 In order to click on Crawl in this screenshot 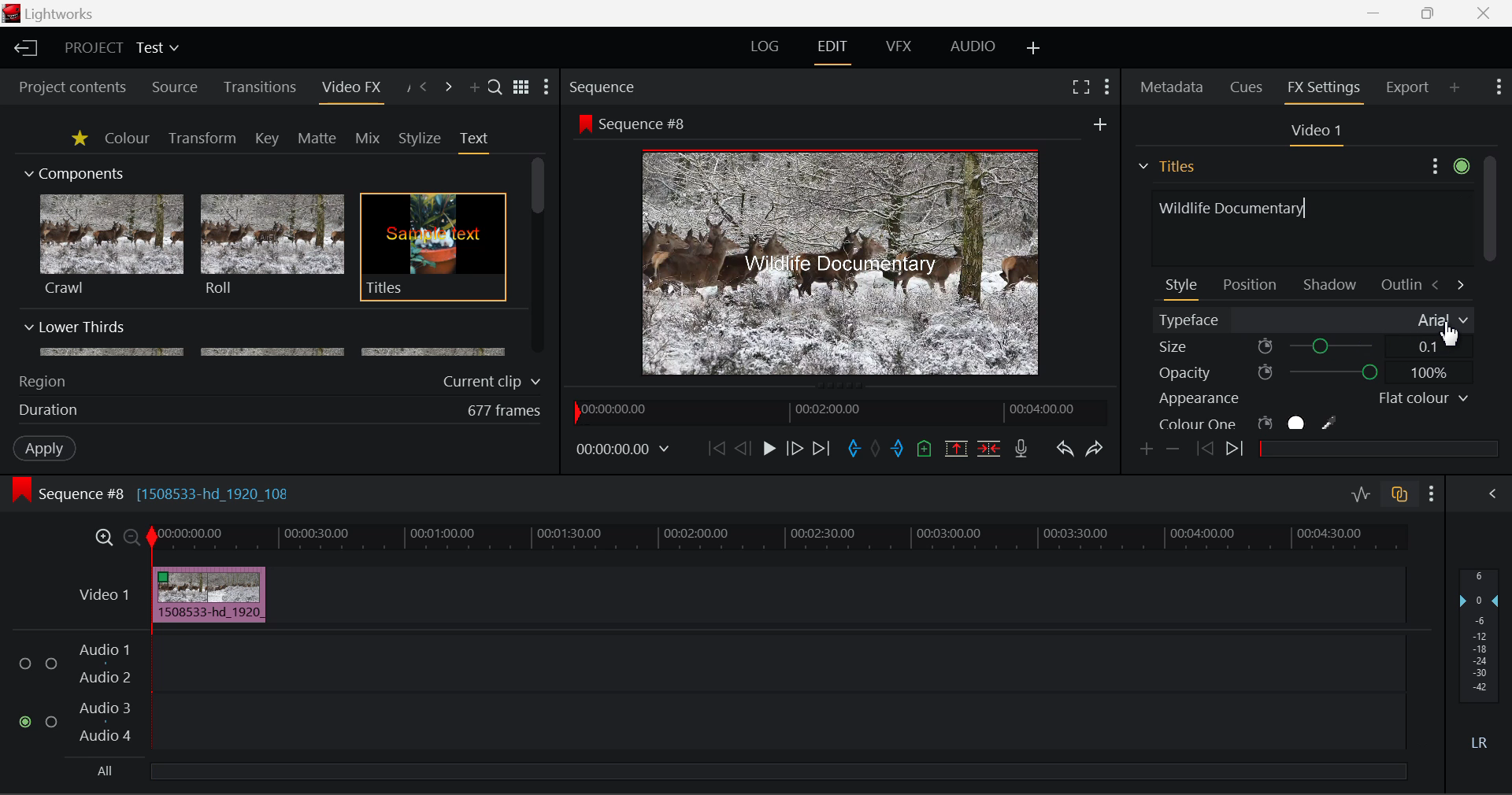, I will do `click(112, 245)`.